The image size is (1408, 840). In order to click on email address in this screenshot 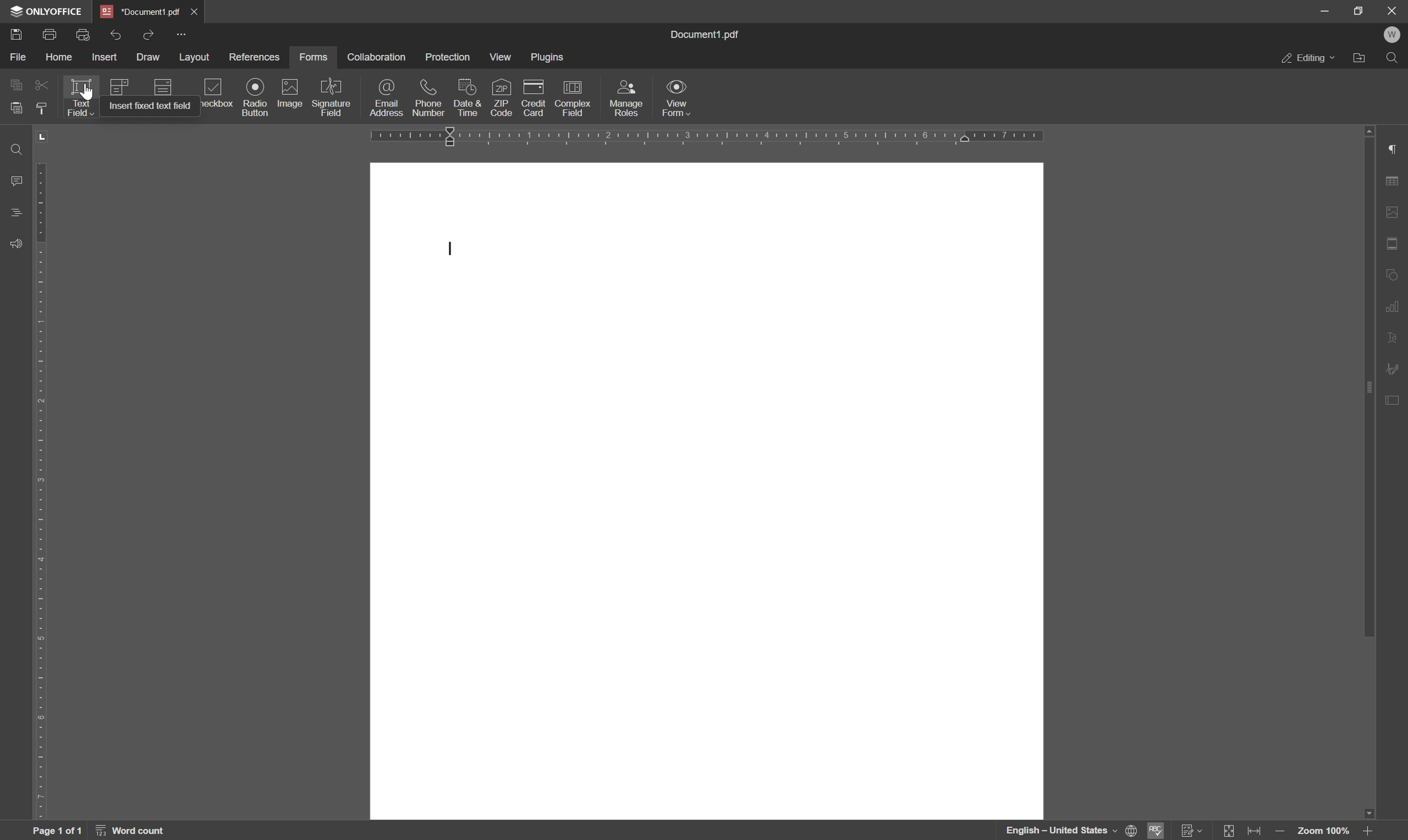, I will do `click(384, 98)`.